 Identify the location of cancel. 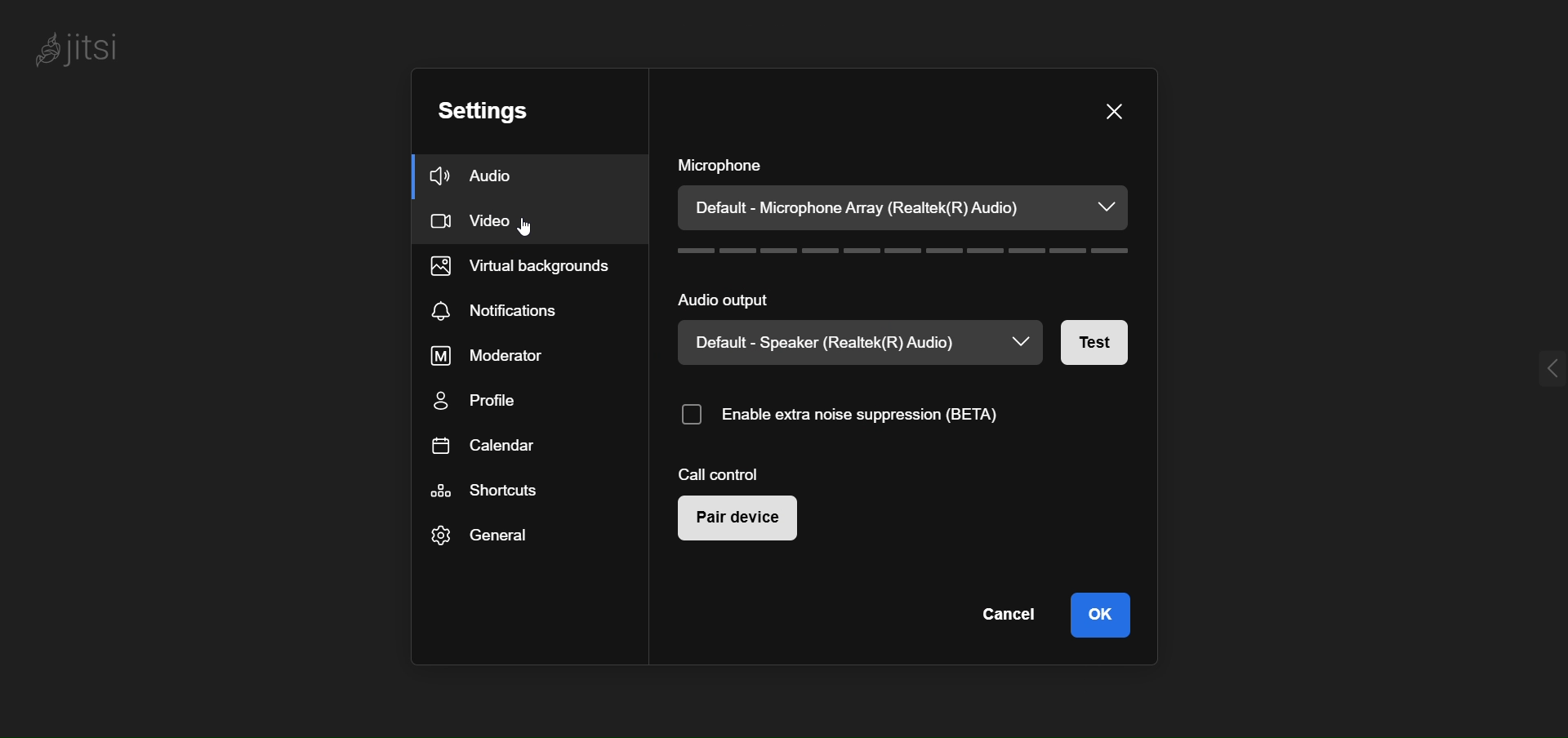
(1013, 616).